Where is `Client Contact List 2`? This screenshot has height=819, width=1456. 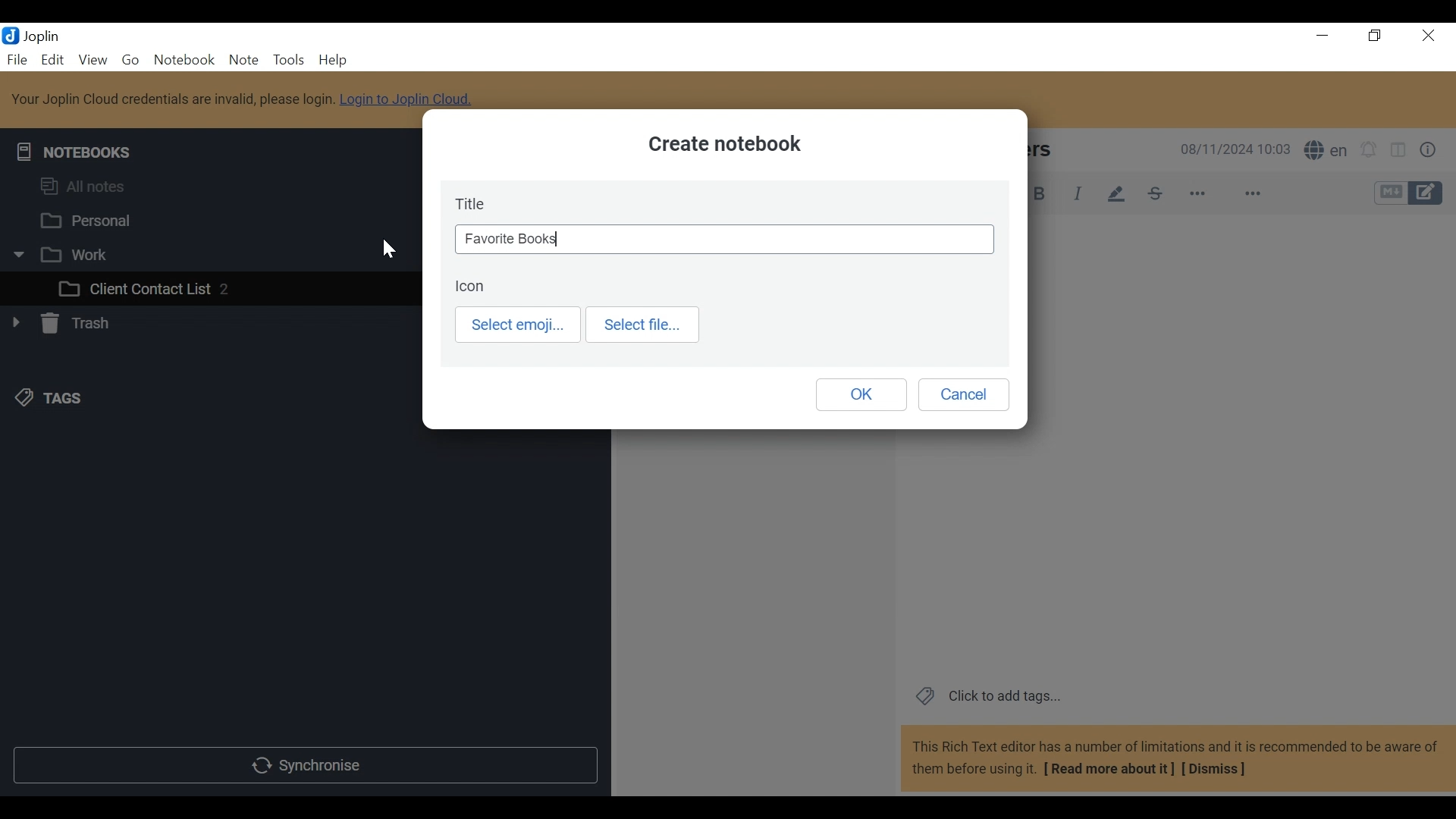 Client Contact List 2 is located at coordinates (146, 289).